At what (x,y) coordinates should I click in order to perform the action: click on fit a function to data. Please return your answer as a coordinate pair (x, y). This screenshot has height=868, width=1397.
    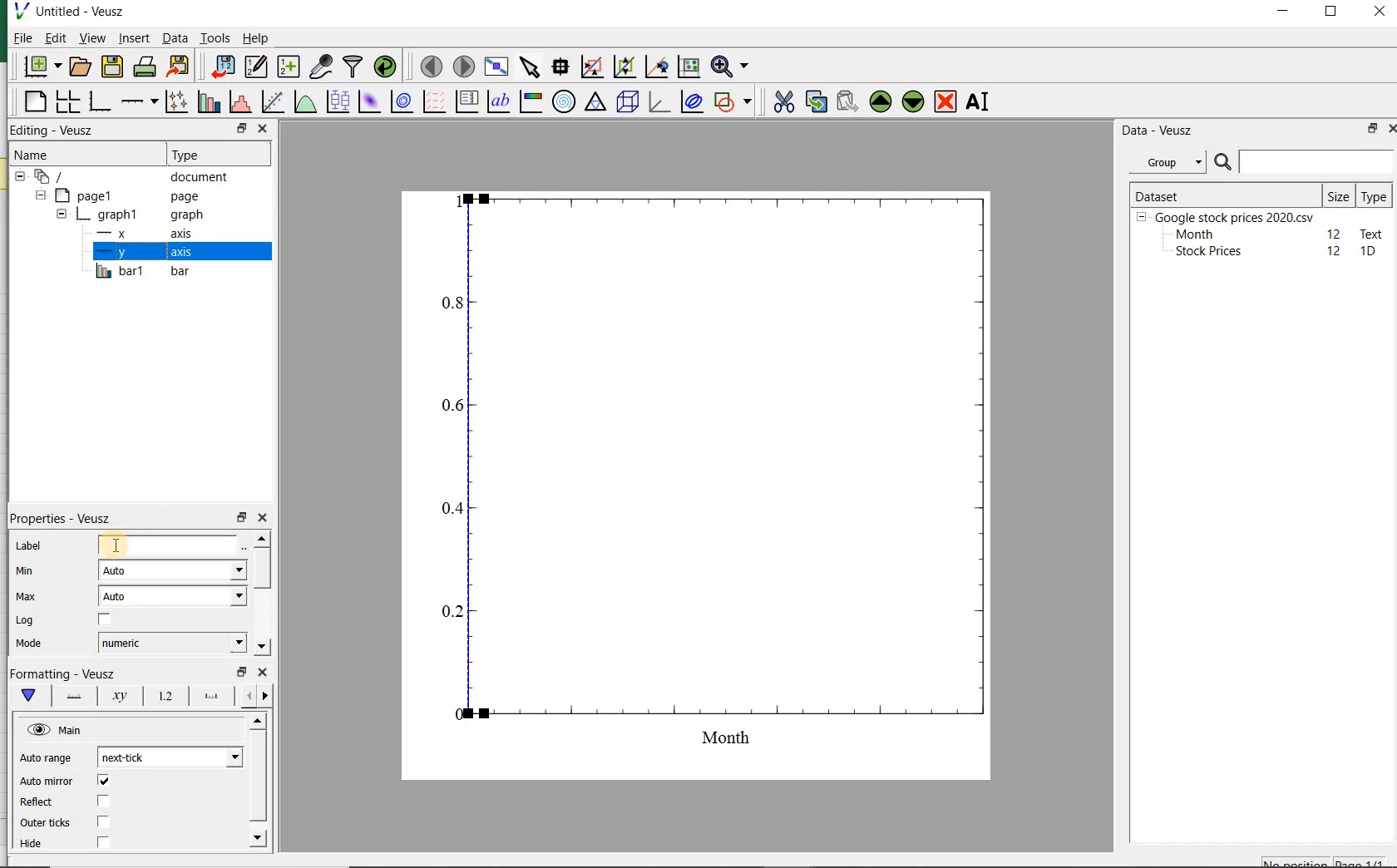
    Looking at the image, I should click on (271, 102).